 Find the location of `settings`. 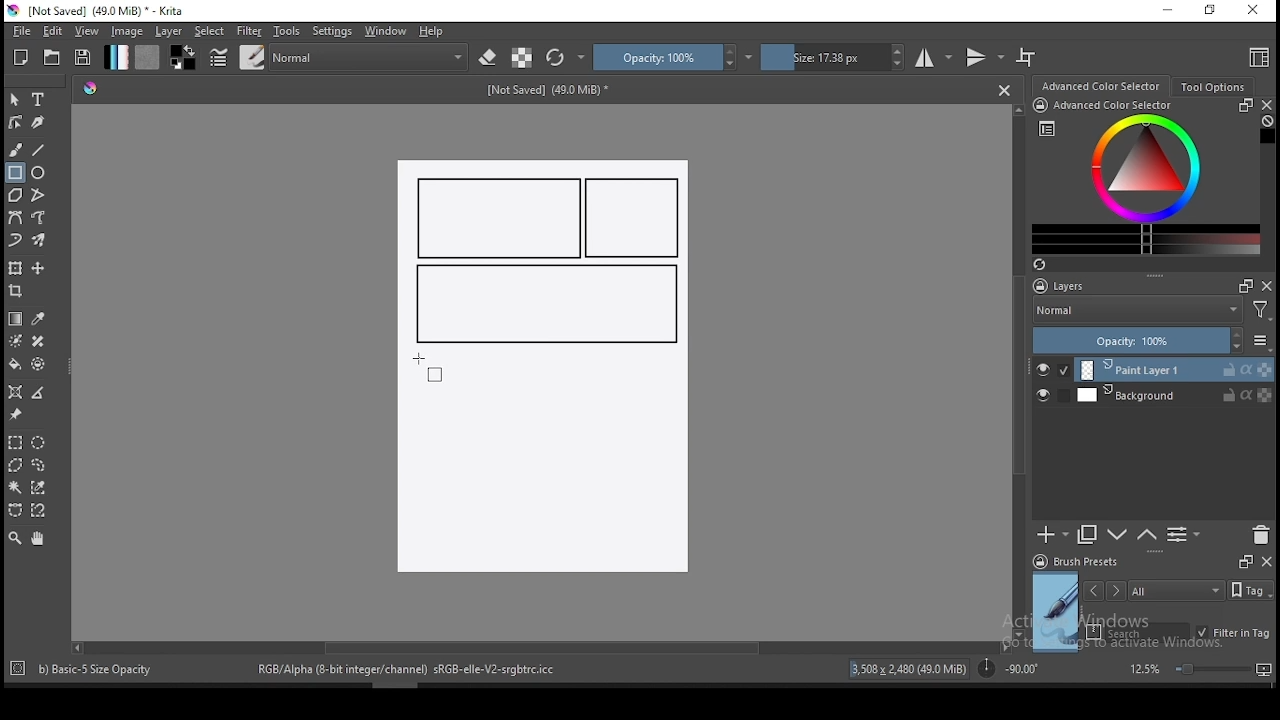

settings is located at coordinates (332, 31).